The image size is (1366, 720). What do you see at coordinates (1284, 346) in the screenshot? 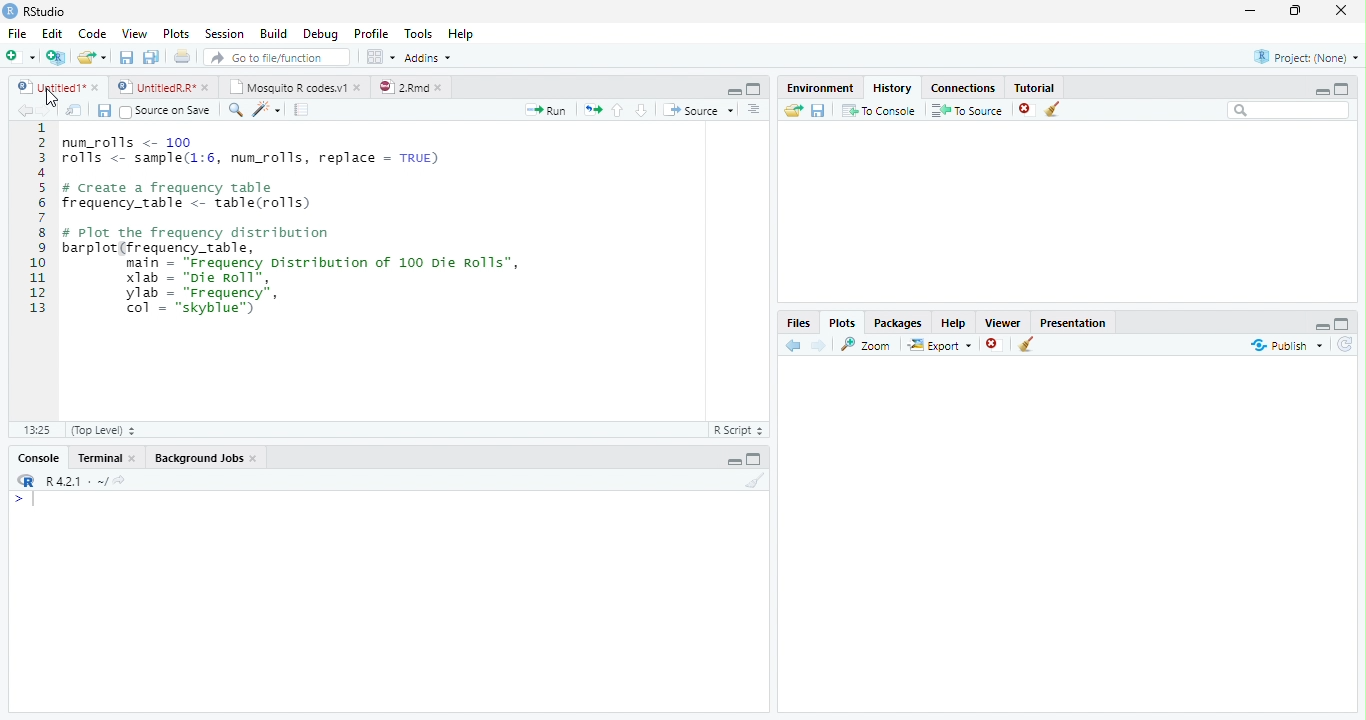
I see `Publish` at bounding box center [1284, 346].